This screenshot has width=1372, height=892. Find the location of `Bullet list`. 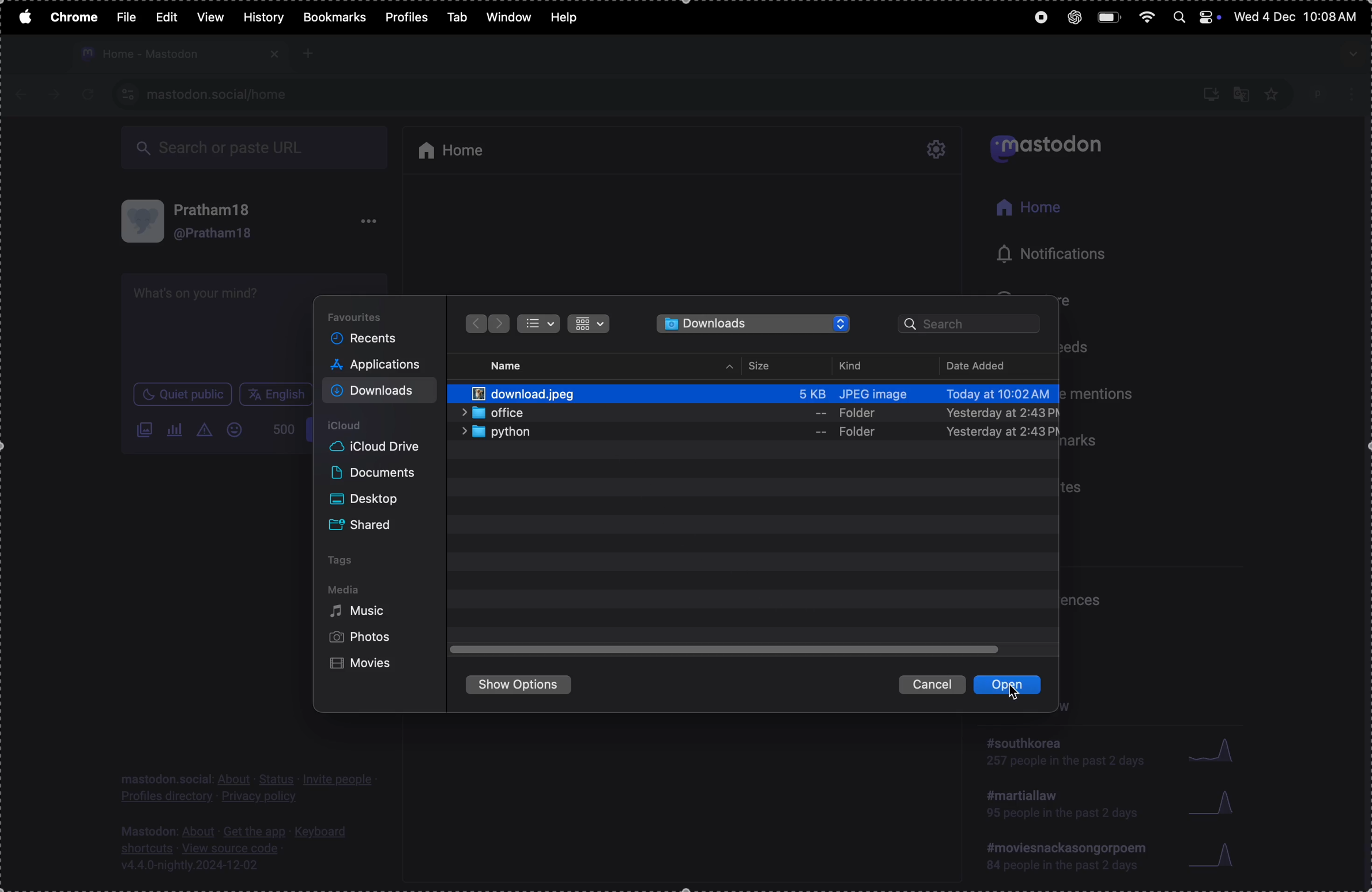

Bullet list is located at coordinates (539, 324).